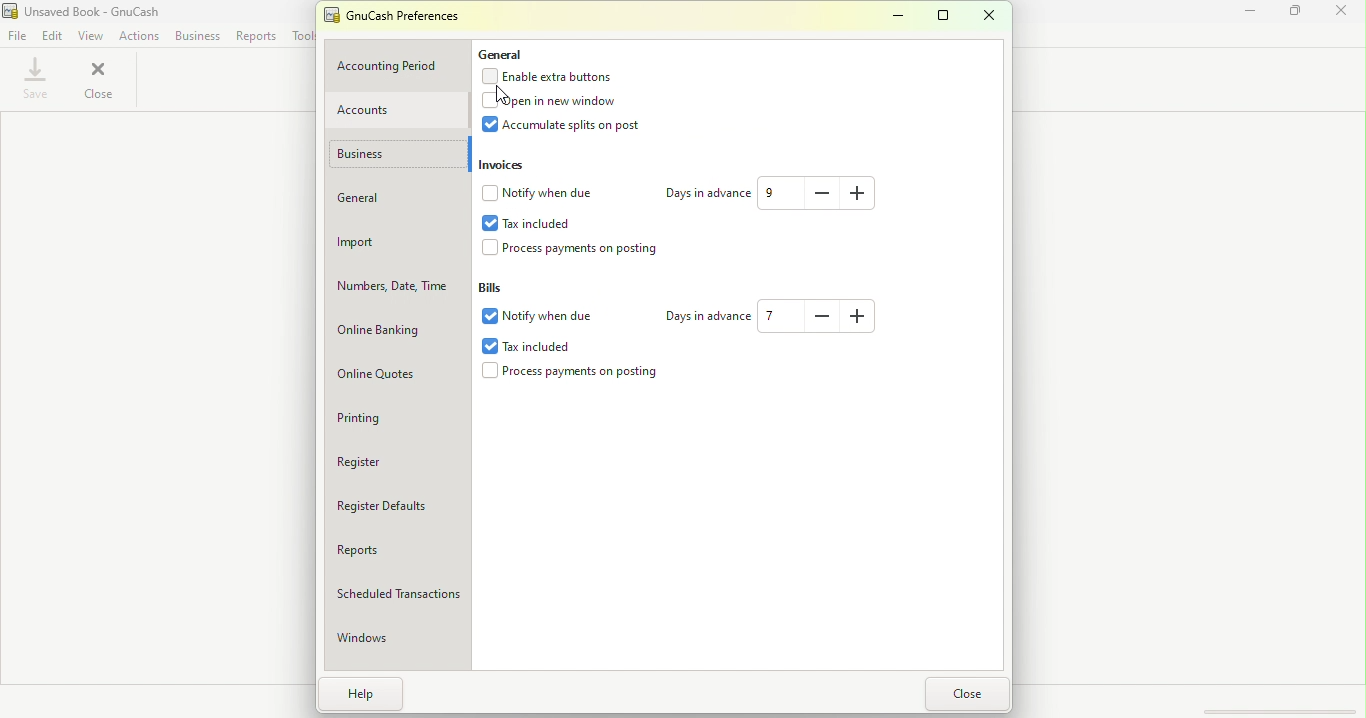 The image size is (1366, 718). I want to click on Increase, so click(858, 316).